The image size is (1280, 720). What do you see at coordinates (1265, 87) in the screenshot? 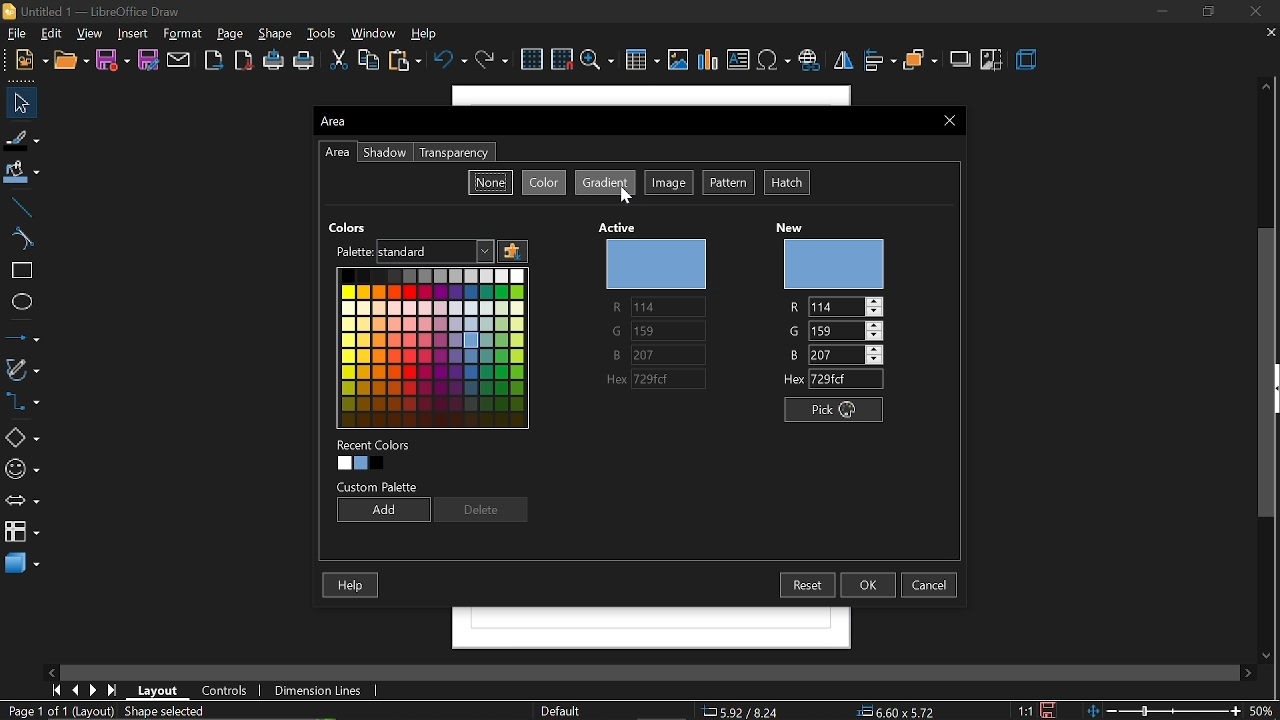
I see `Move up` at bounding box center [1265, 87].